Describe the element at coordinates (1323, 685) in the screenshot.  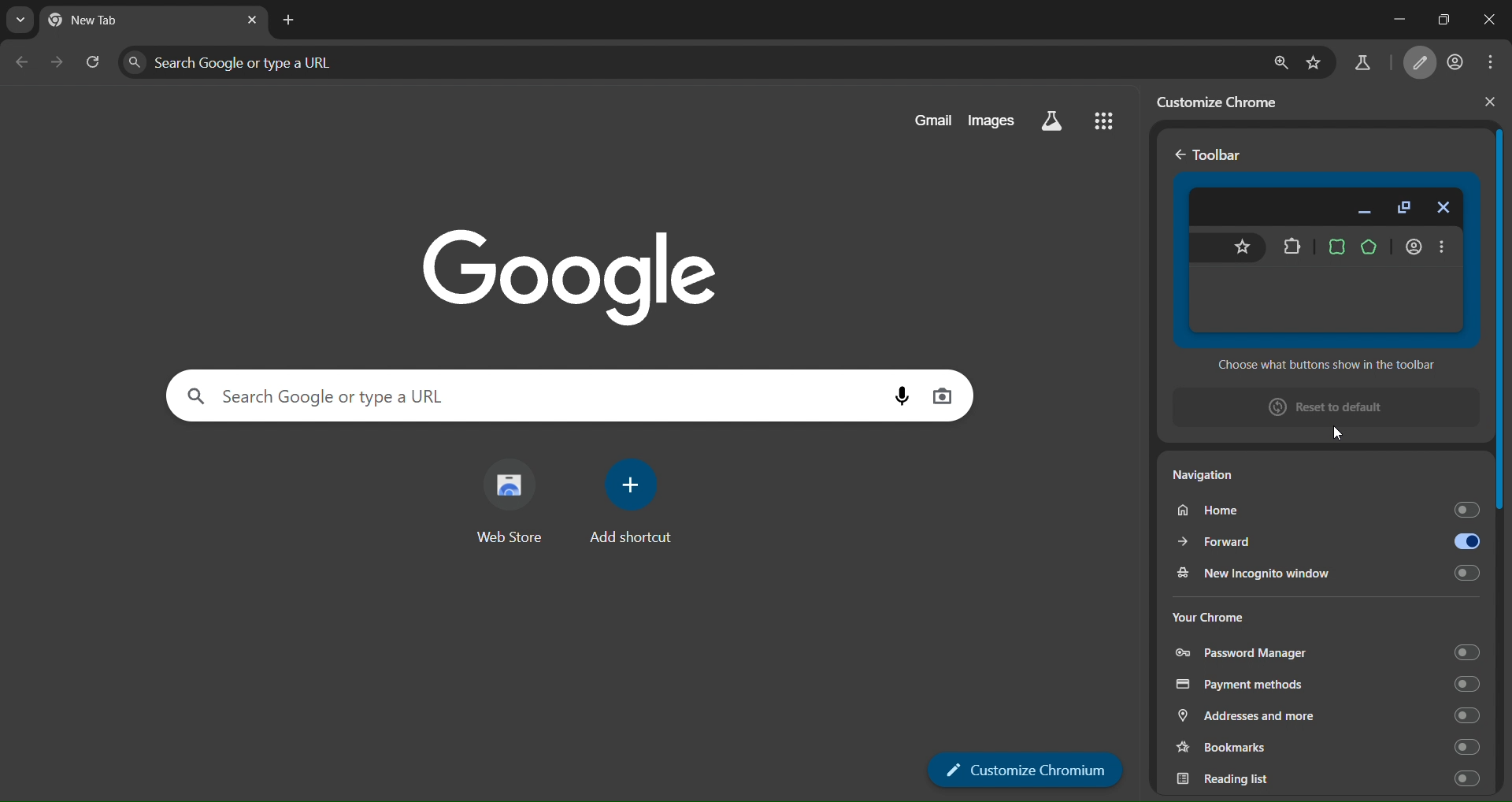
I see `payment methods` at that location.